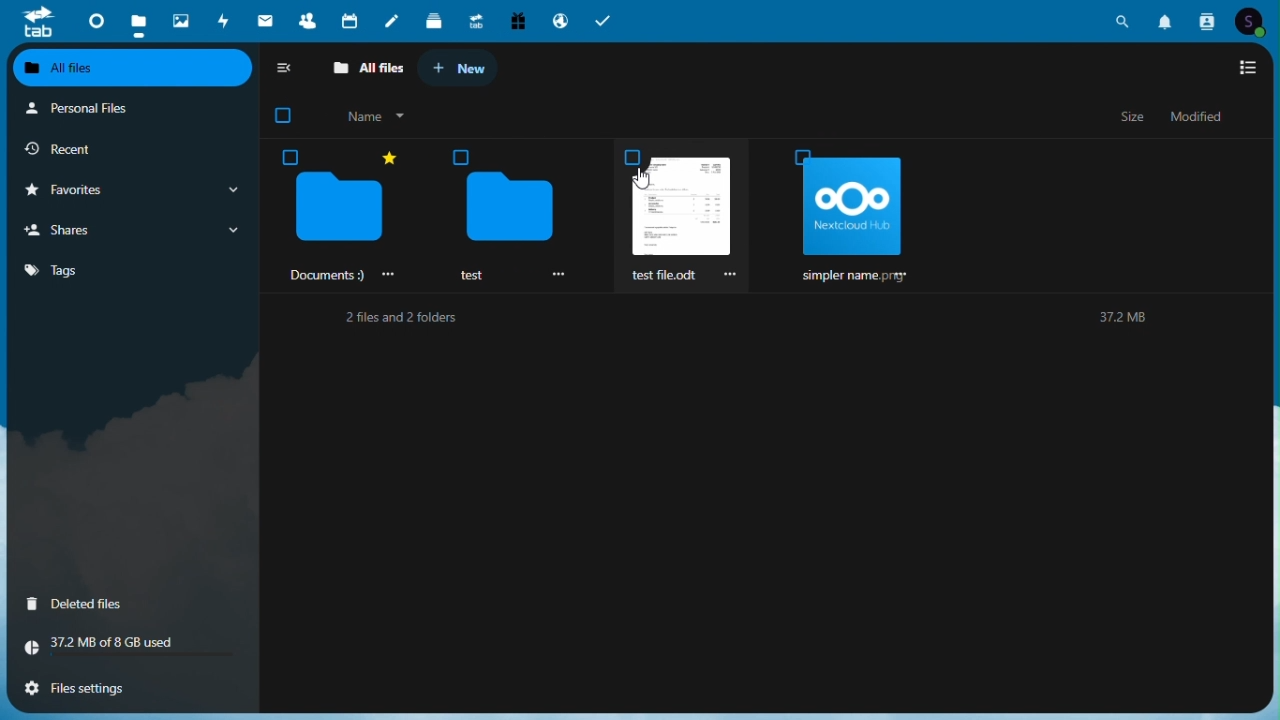 This screenshot has height=720, width=1280. I want to click on Notes , so click(395, 22).